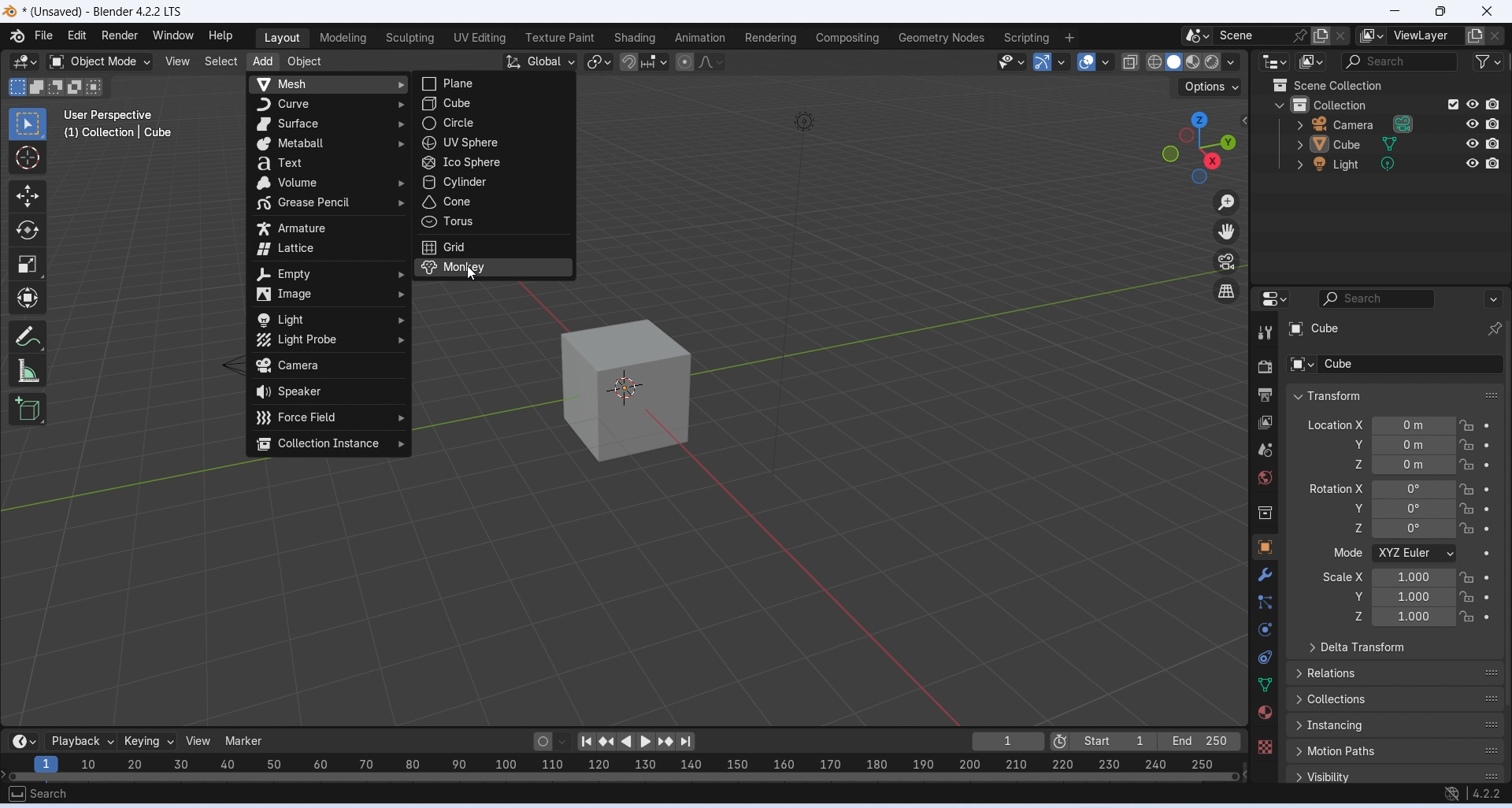 Image resolution: width=1512 pixels, height=808 pixels. I want to click on Add, so click(261, 63).